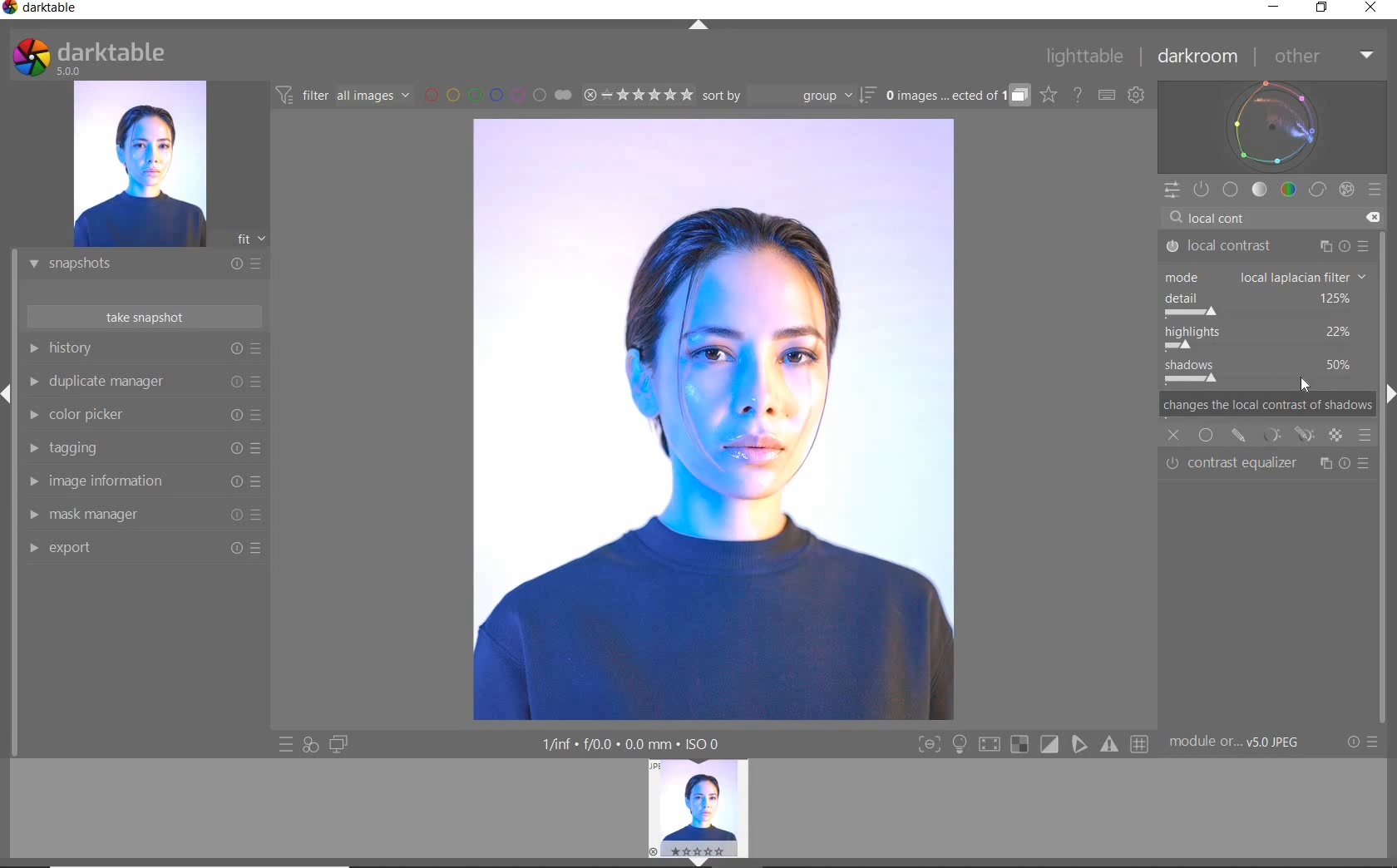  I want to click on TONE, so click(1261, 190).